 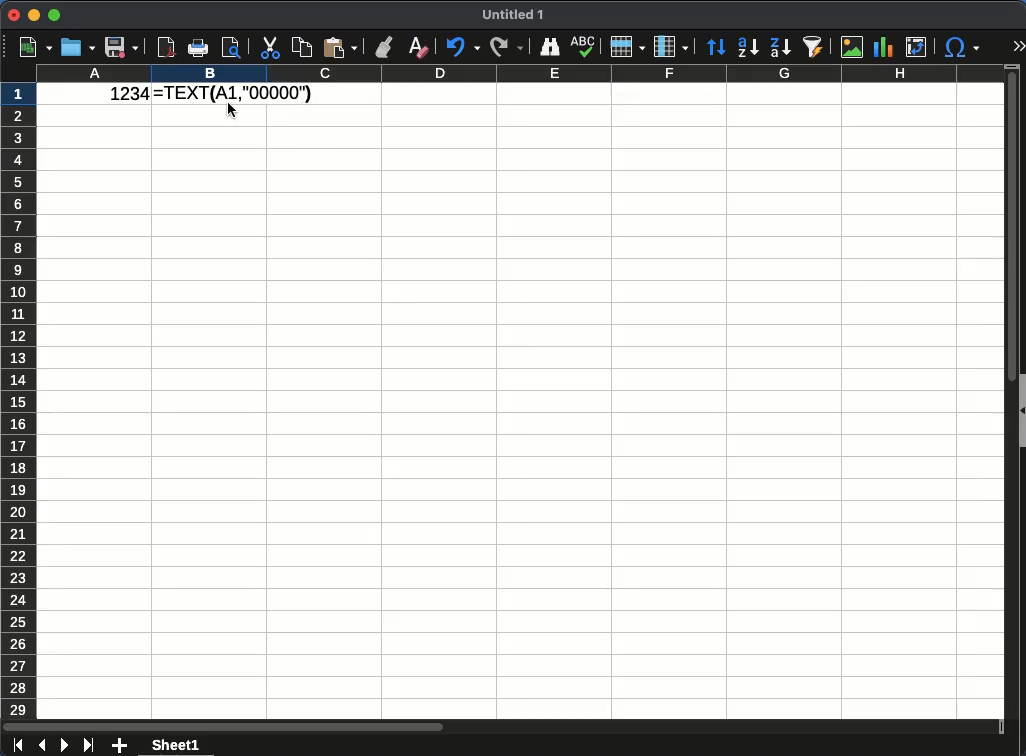 I want to click on collapse, so click(x=1021, y=412).